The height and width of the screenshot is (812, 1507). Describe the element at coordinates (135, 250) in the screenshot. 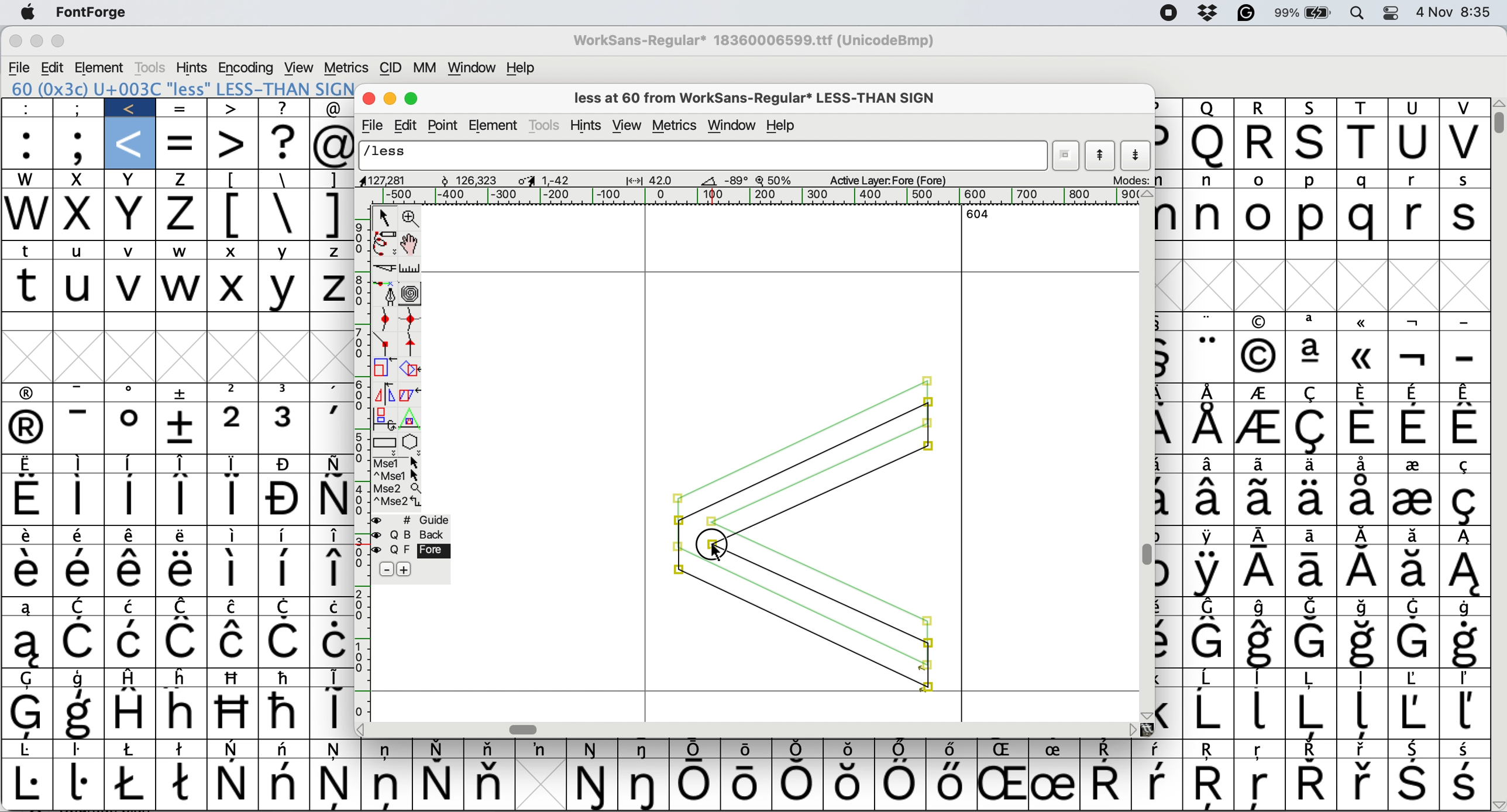

I see `v` at that location.